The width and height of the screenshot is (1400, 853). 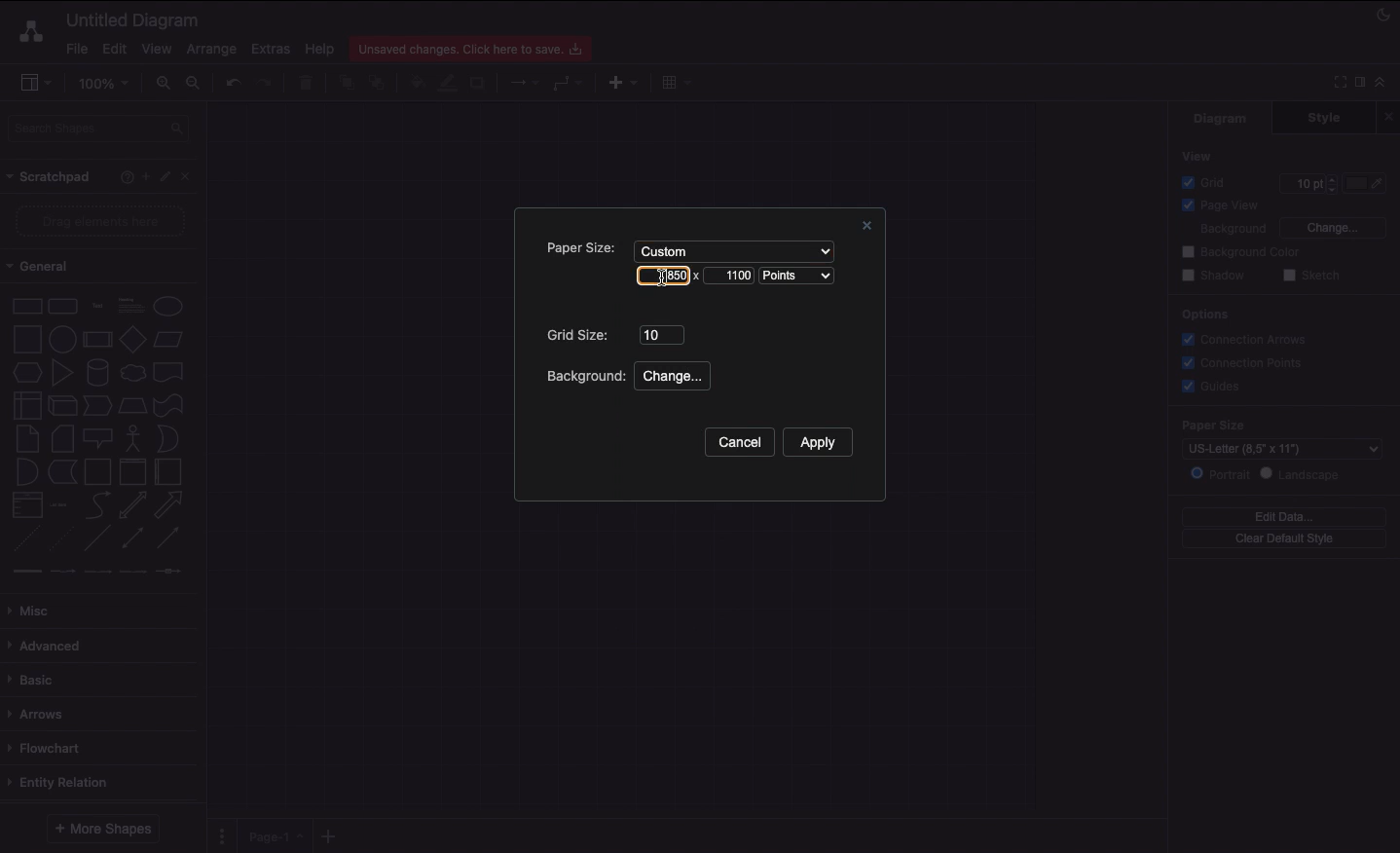 I want to click on Connection points, so click(x=1243, y=362).